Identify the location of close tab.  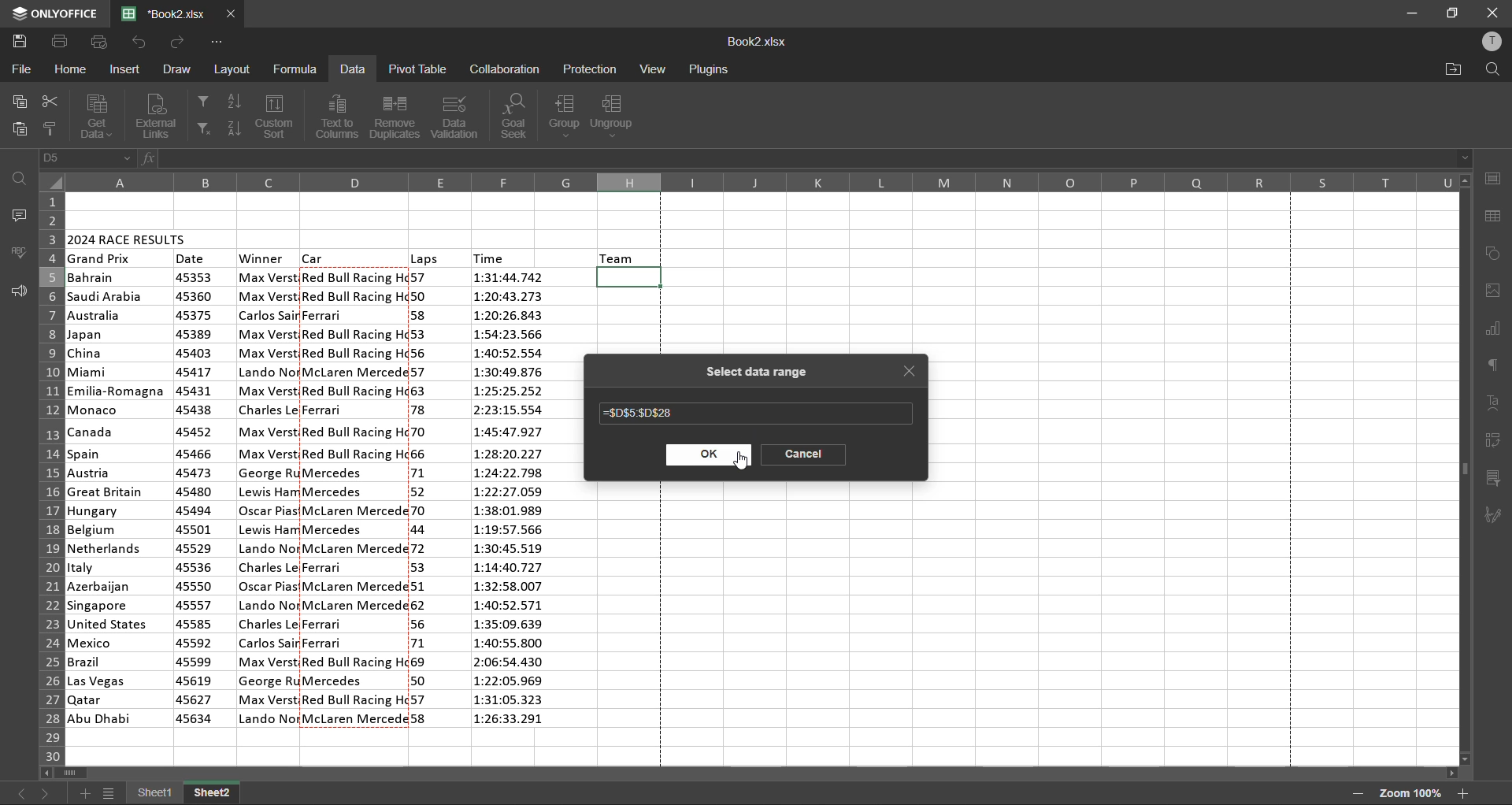
(232, 14).